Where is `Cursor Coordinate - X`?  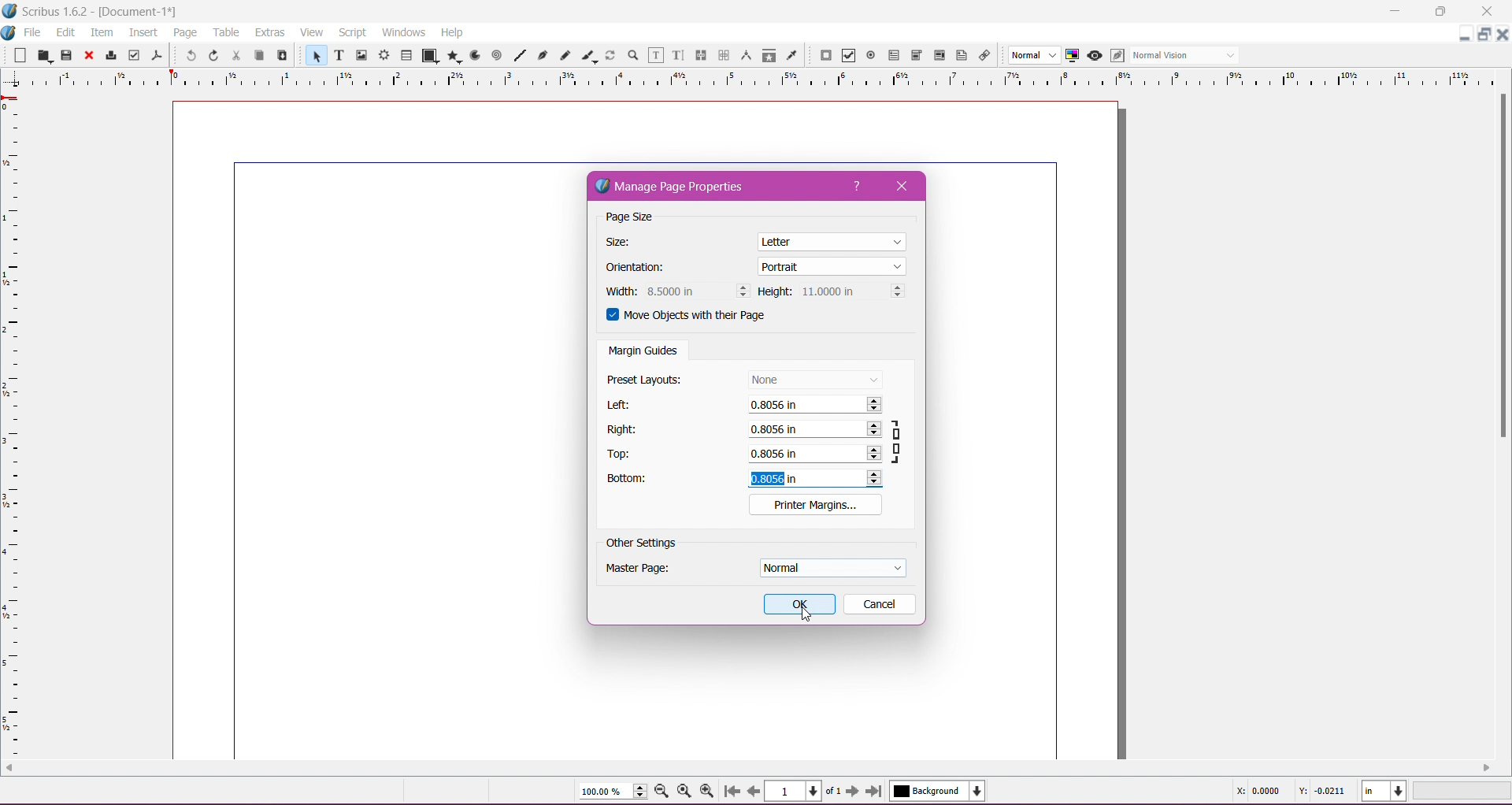 Cursor Coordinate - X is located at coordinates (1255, 791).